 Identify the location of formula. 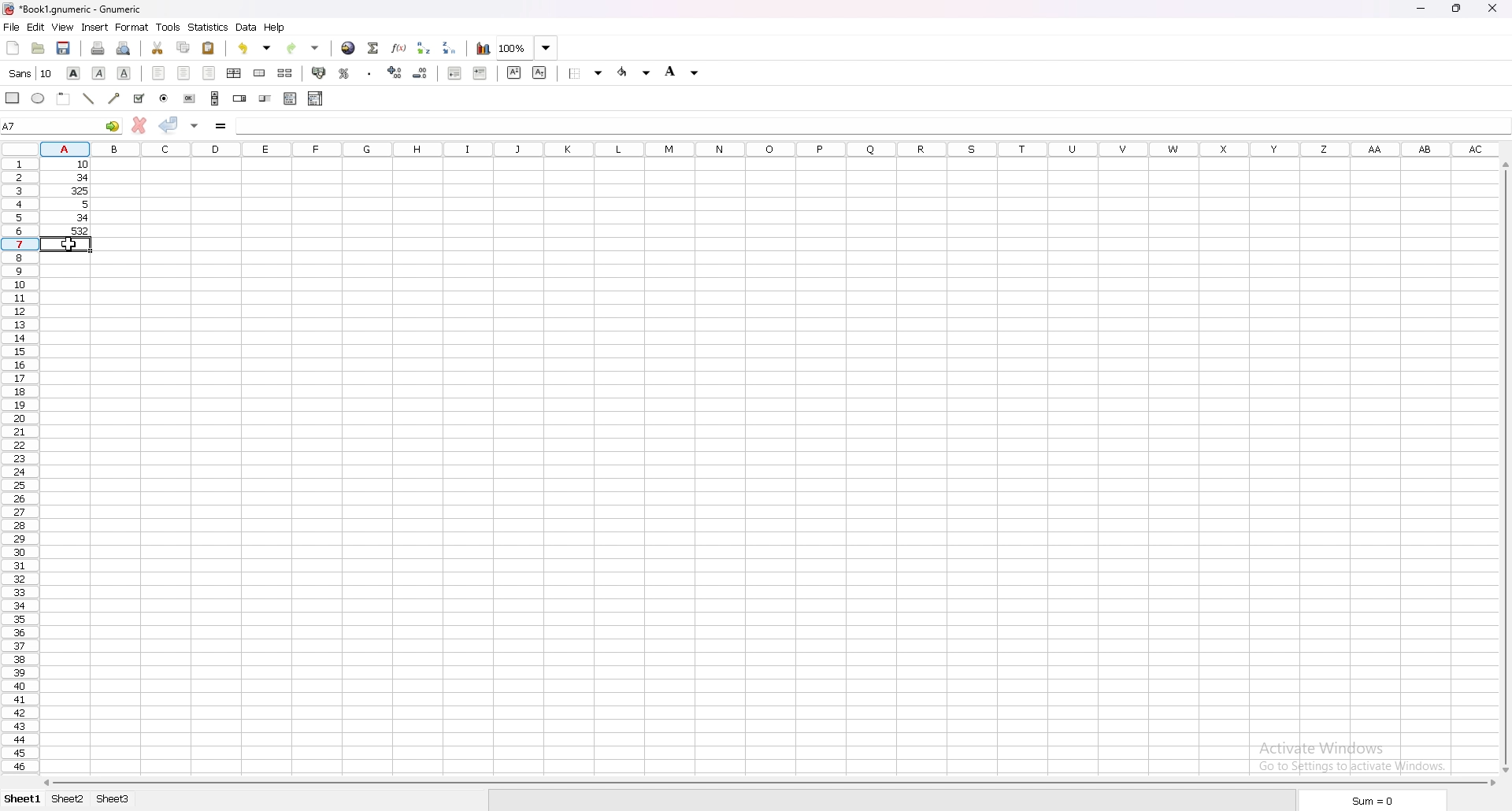
(220, 125).